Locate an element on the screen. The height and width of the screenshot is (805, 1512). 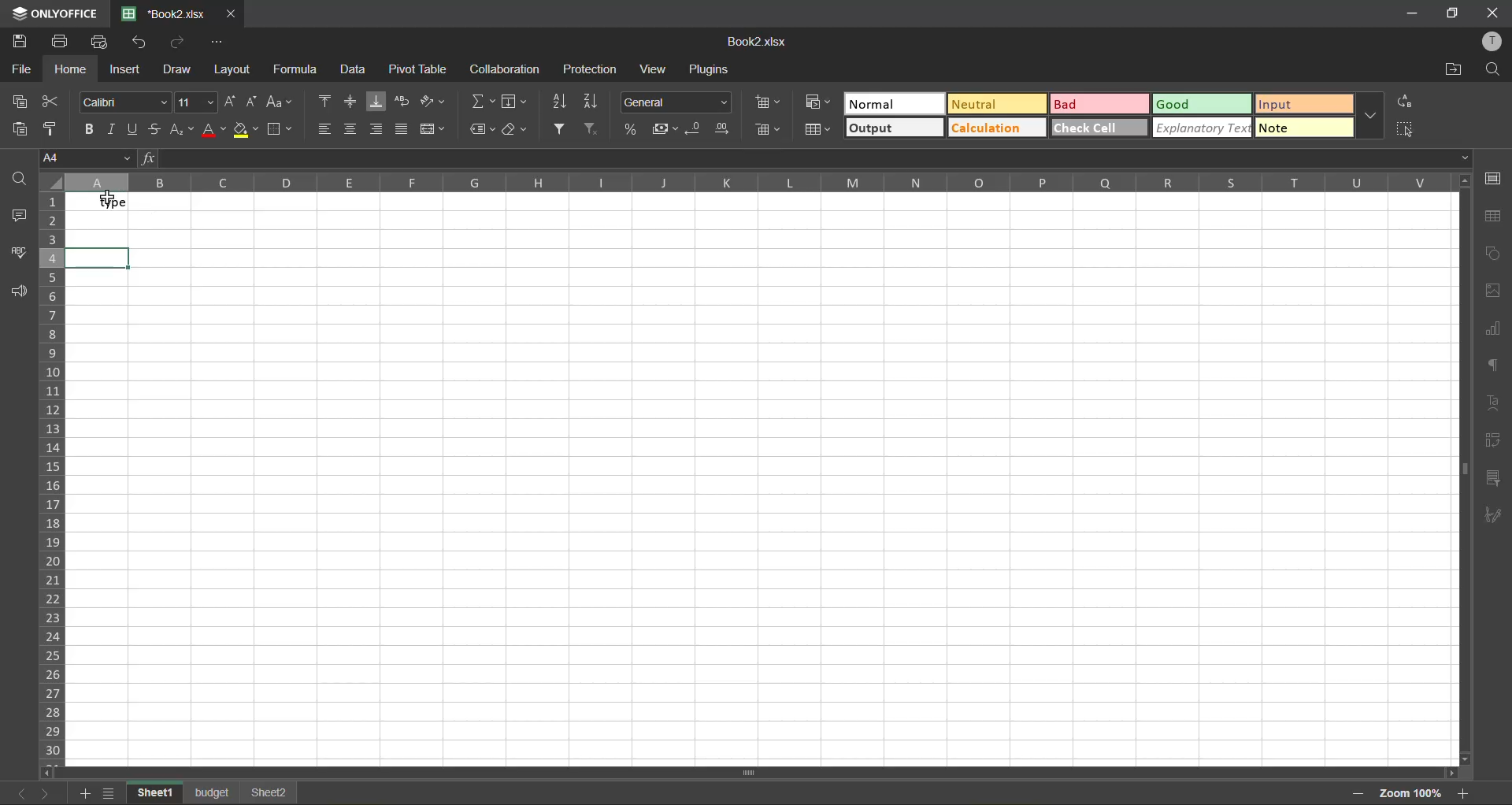
cell settings is located at coordinates (1492, 180).